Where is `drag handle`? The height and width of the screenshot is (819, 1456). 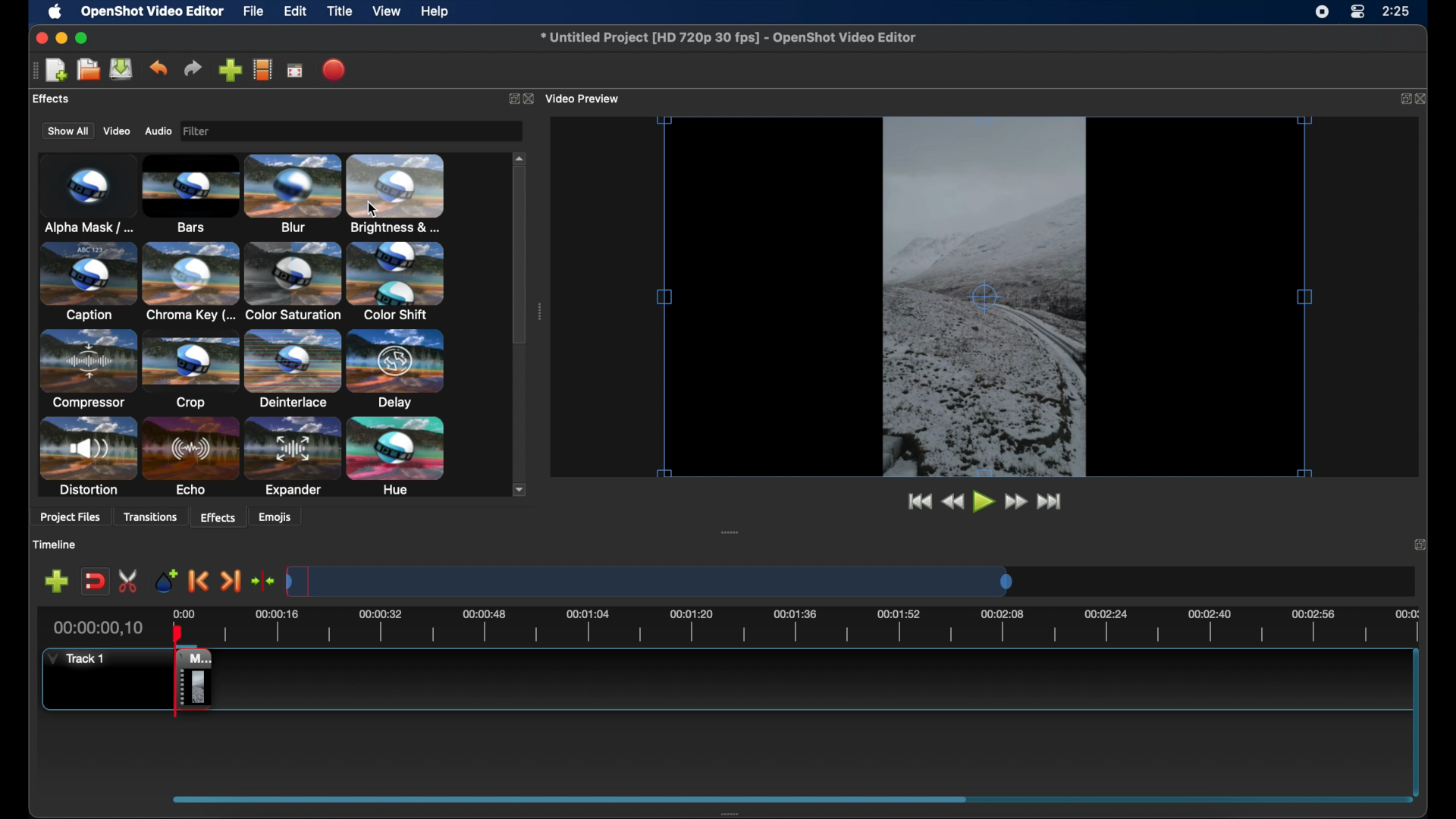
drag handle is located at coordinates (731, 811).